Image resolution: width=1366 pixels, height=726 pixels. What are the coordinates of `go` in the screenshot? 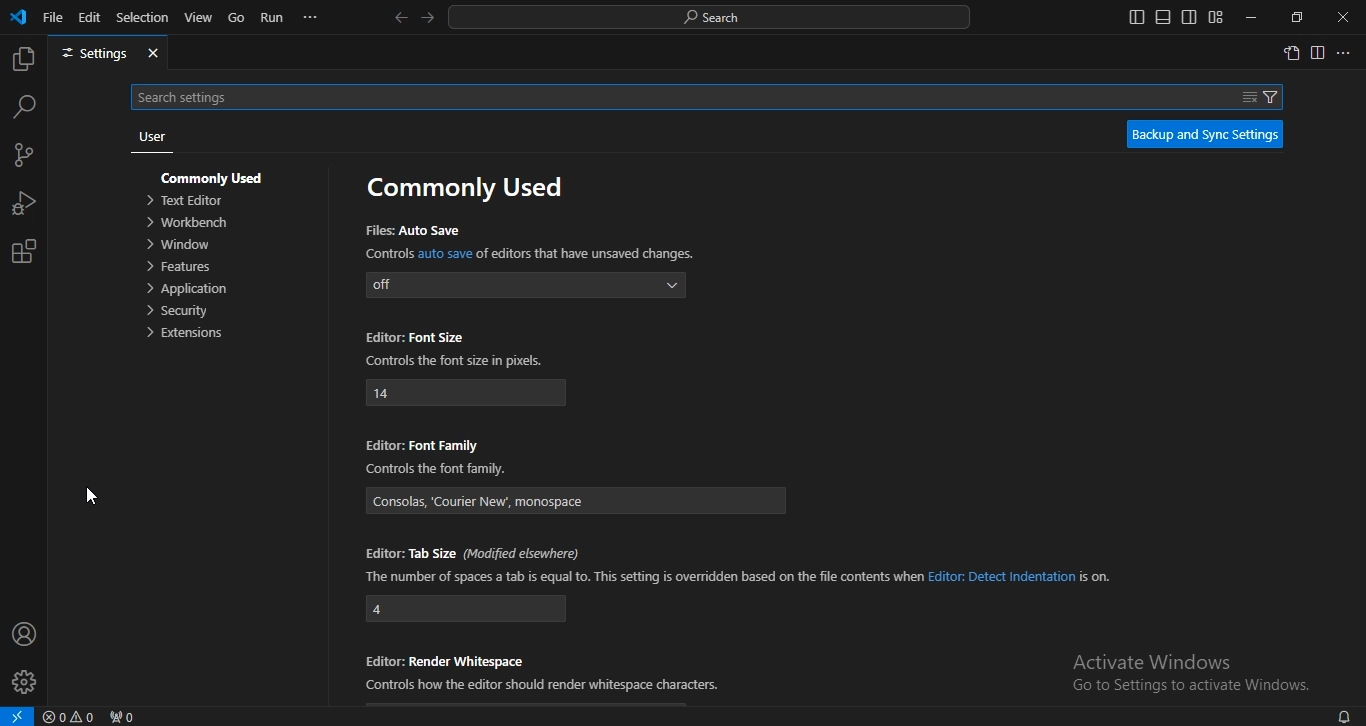 It's located at (237, 19).